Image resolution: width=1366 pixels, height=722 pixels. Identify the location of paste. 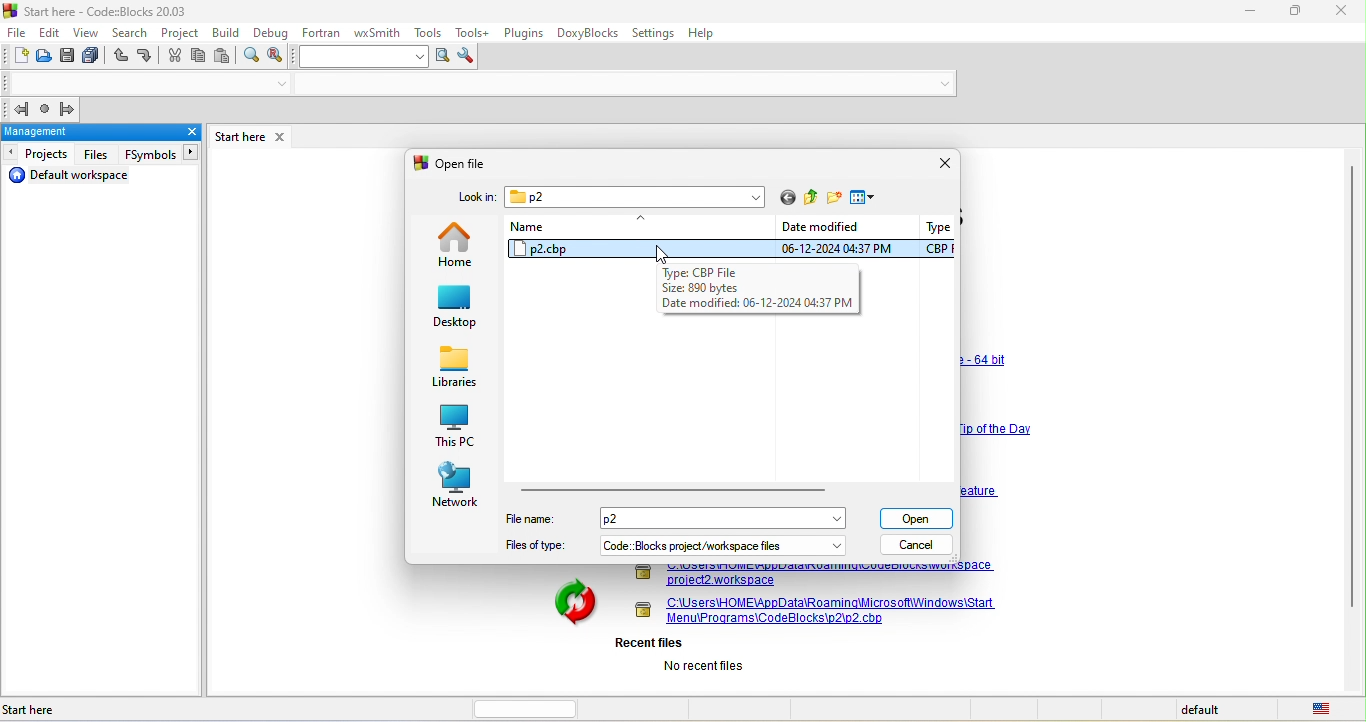
(223, 58).